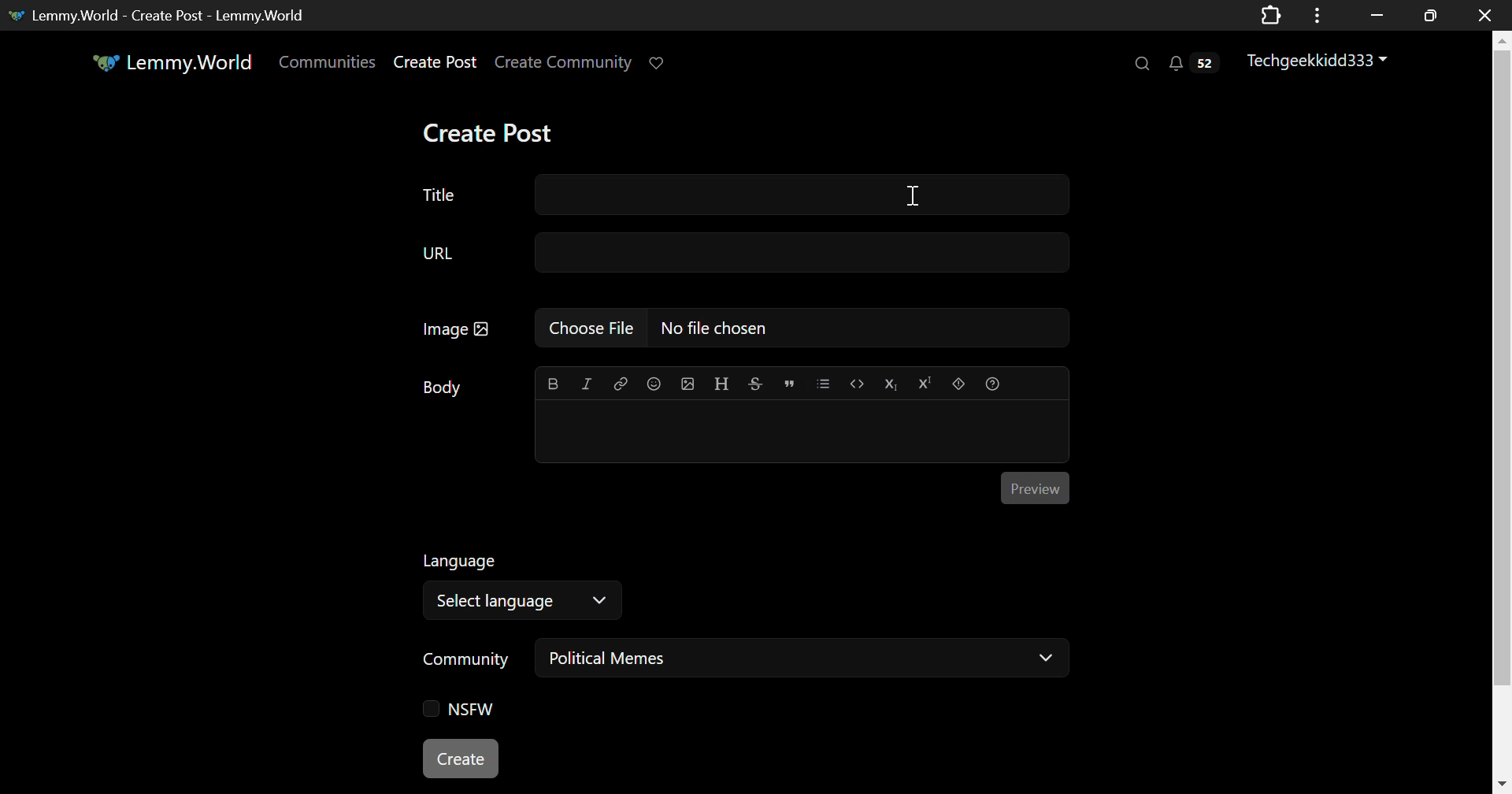 This screenshot has height=794, width=1512. What do you see at coordinates (1317, 14) in the screenshot?
I see `Application Options` at bounding box center [1317, 14].